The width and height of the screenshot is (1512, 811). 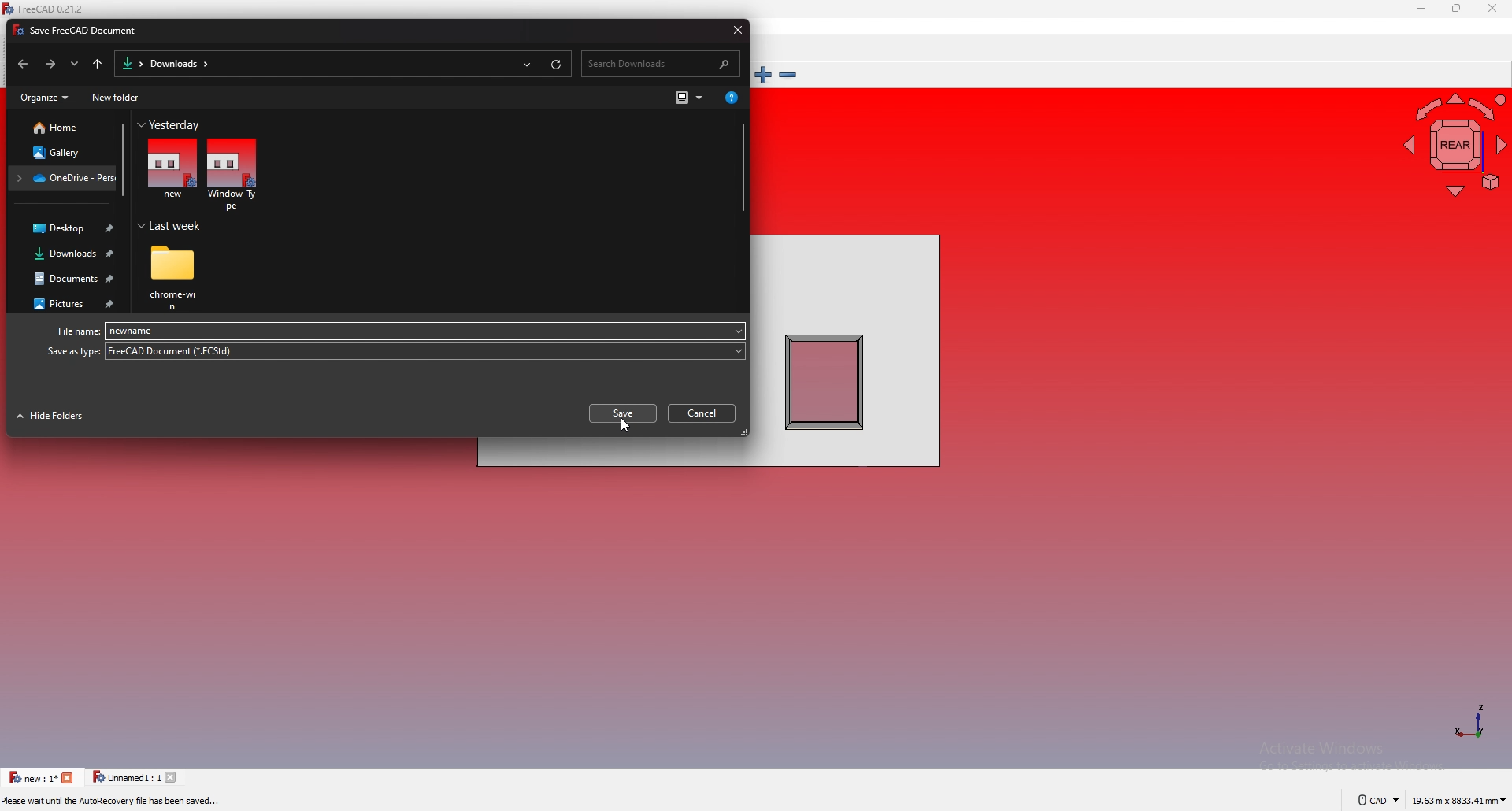 I want to click on cursor, so click(x=622, y=424).